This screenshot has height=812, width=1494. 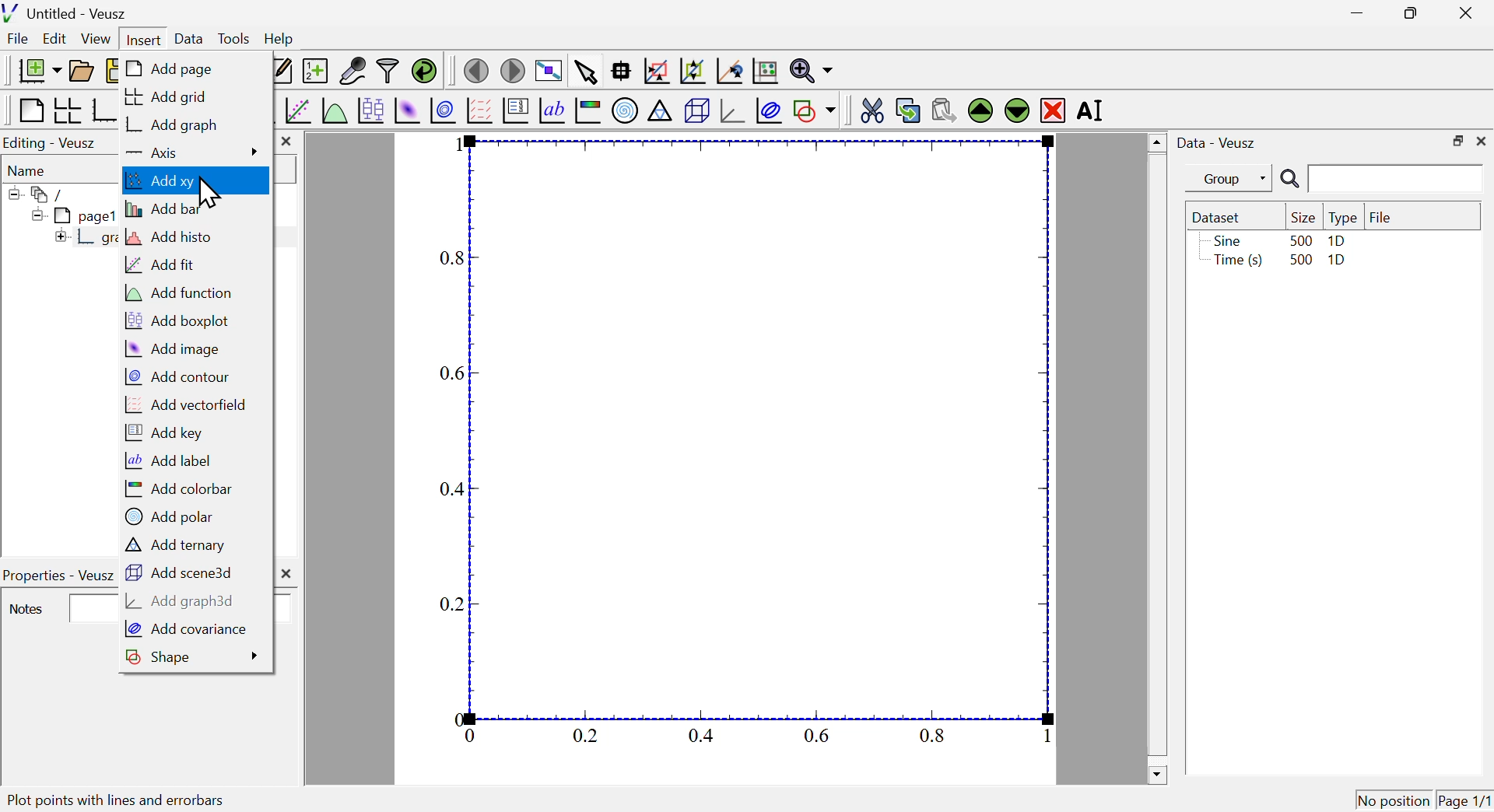 What do you see at coordinates (167, 208) in the screenshot?
I see `Add bar` at bounding box center [167, 208].